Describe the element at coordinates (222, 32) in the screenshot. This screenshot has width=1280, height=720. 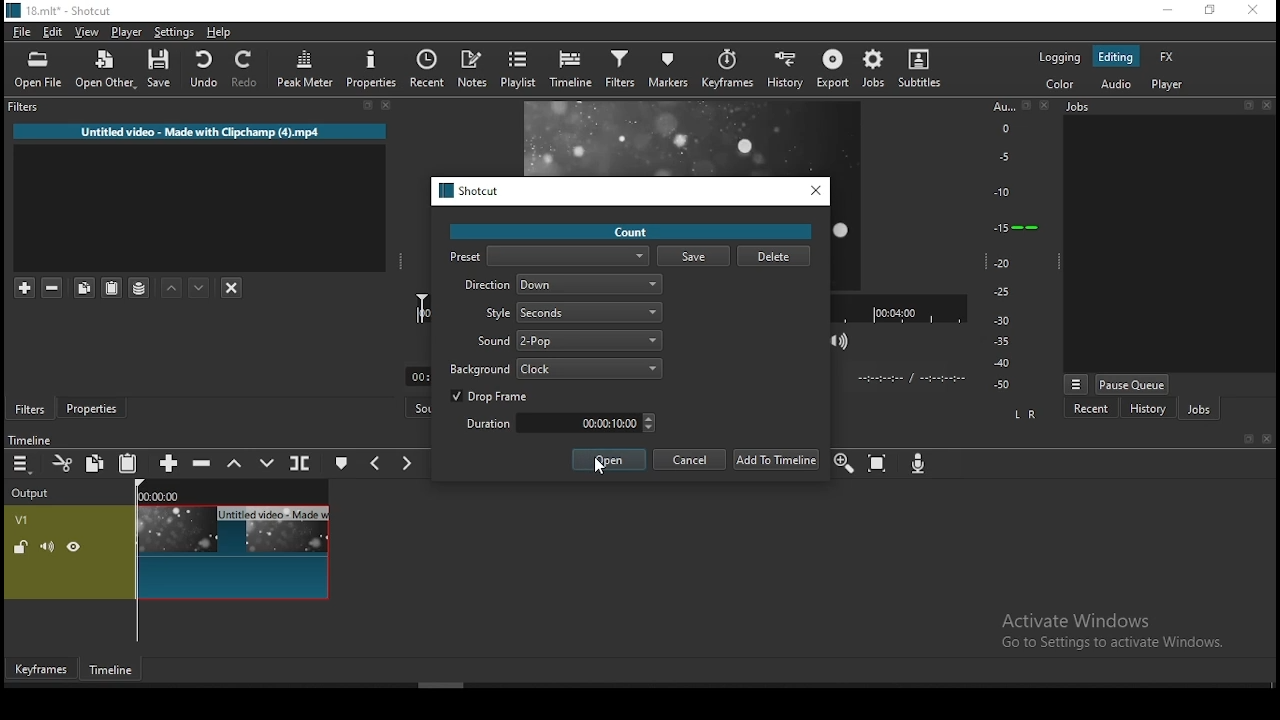
I see `help` at that location.